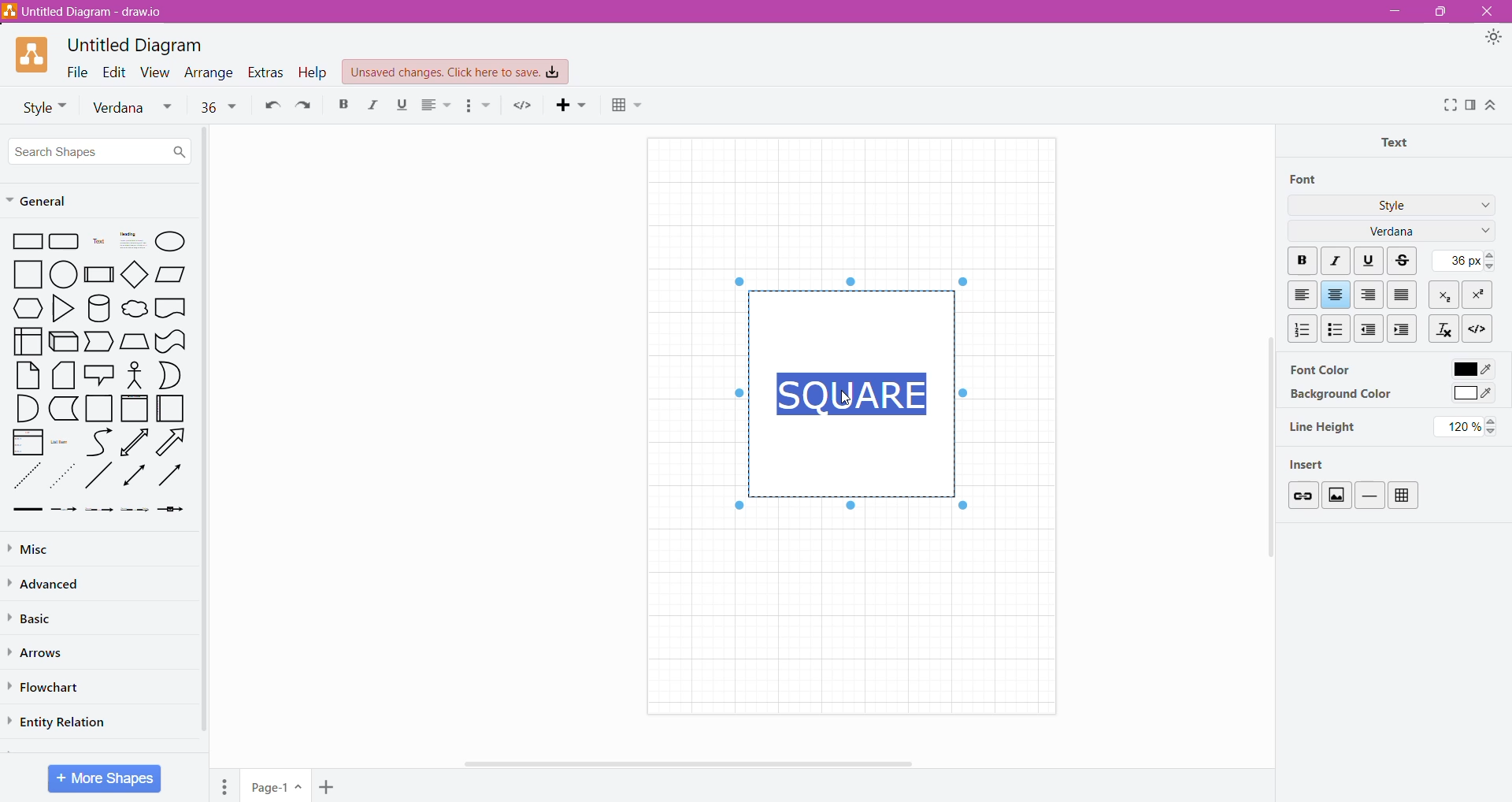  Describe the element at coordinates (99, 150) in the screenshot. I see `Search Shapes` at that location.